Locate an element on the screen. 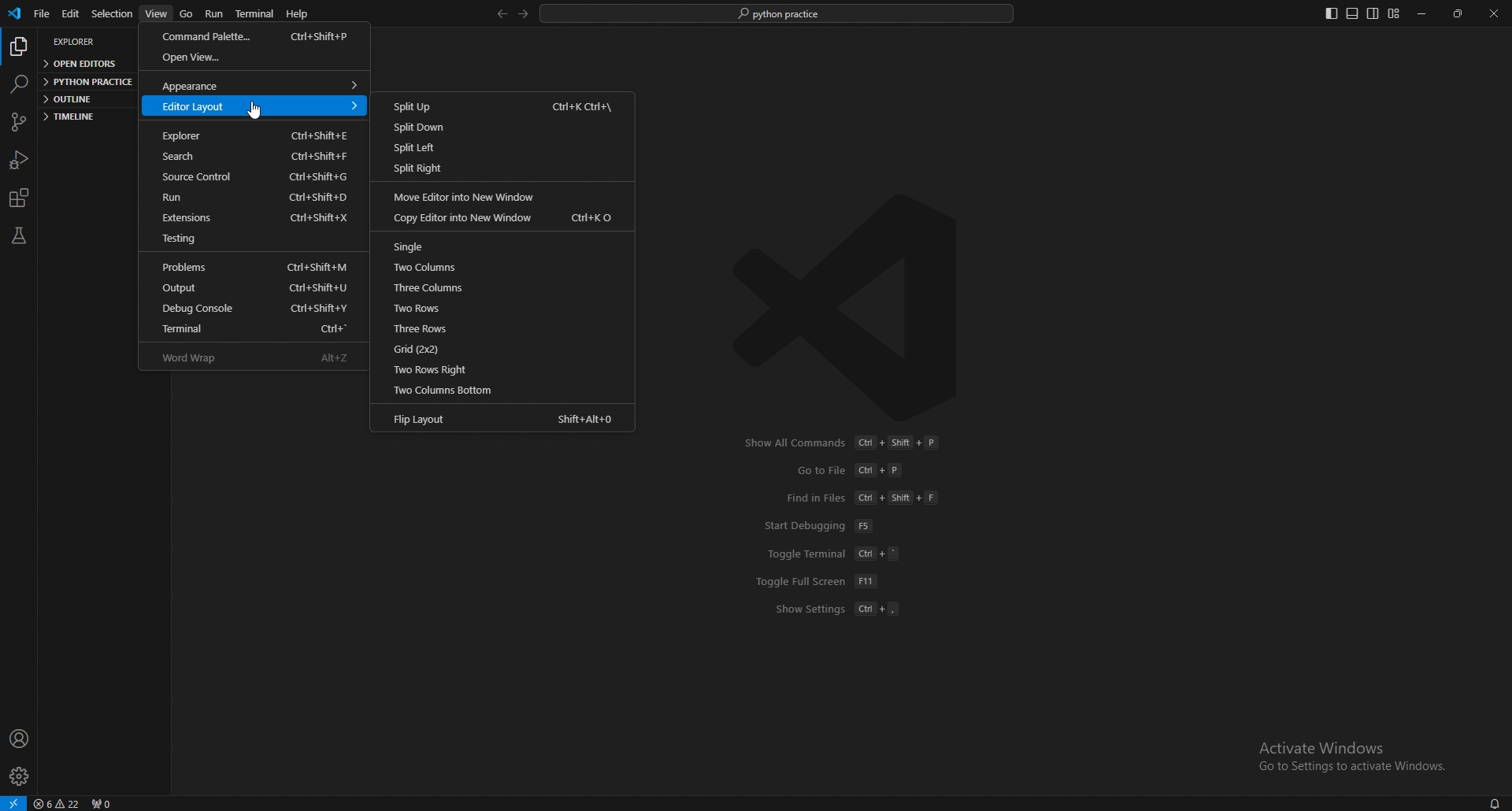 This screenshot has width=1512, height=811. two rows is located at coordinates (490, 309).